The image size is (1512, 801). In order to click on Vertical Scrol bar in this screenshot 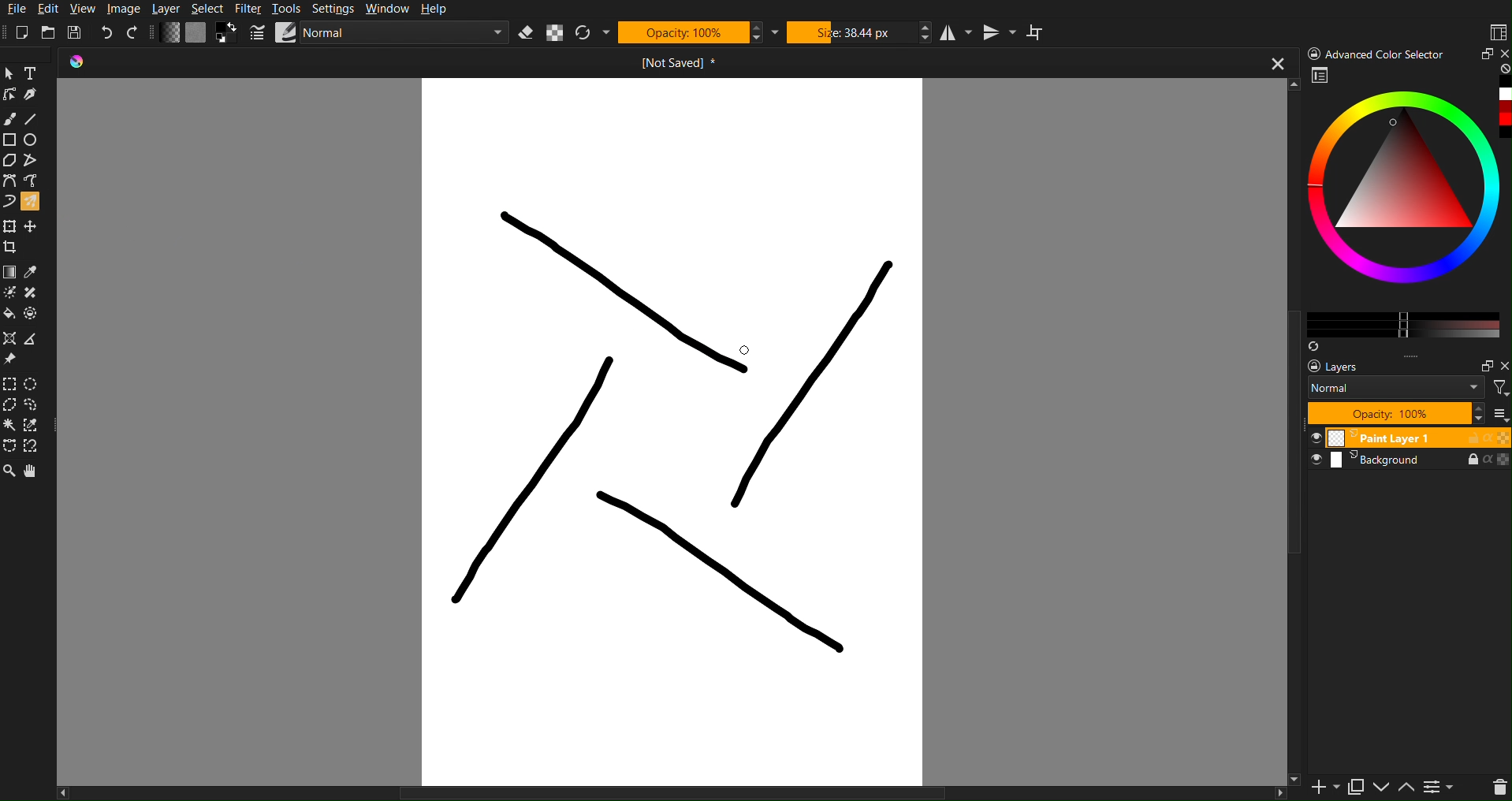, I will do `click(1285, 449)`.